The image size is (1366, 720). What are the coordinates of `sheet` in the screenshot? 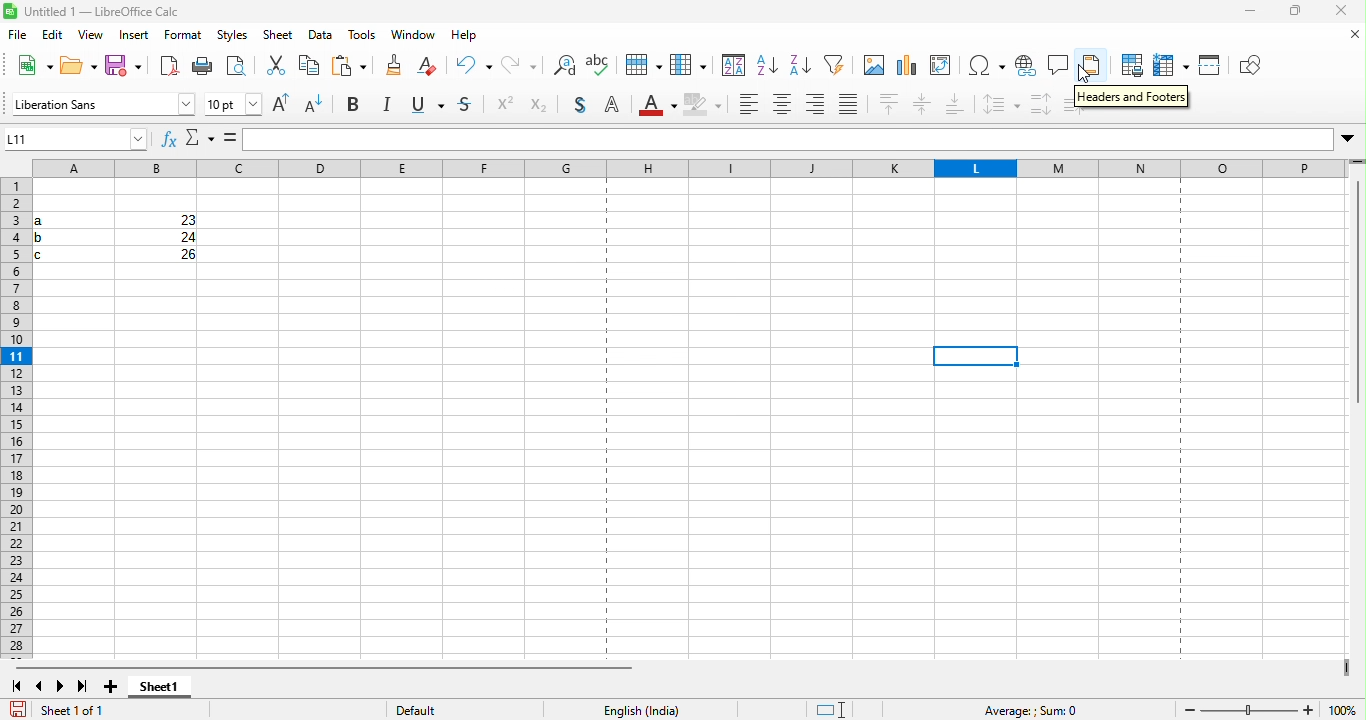 It's located at (277, 39).